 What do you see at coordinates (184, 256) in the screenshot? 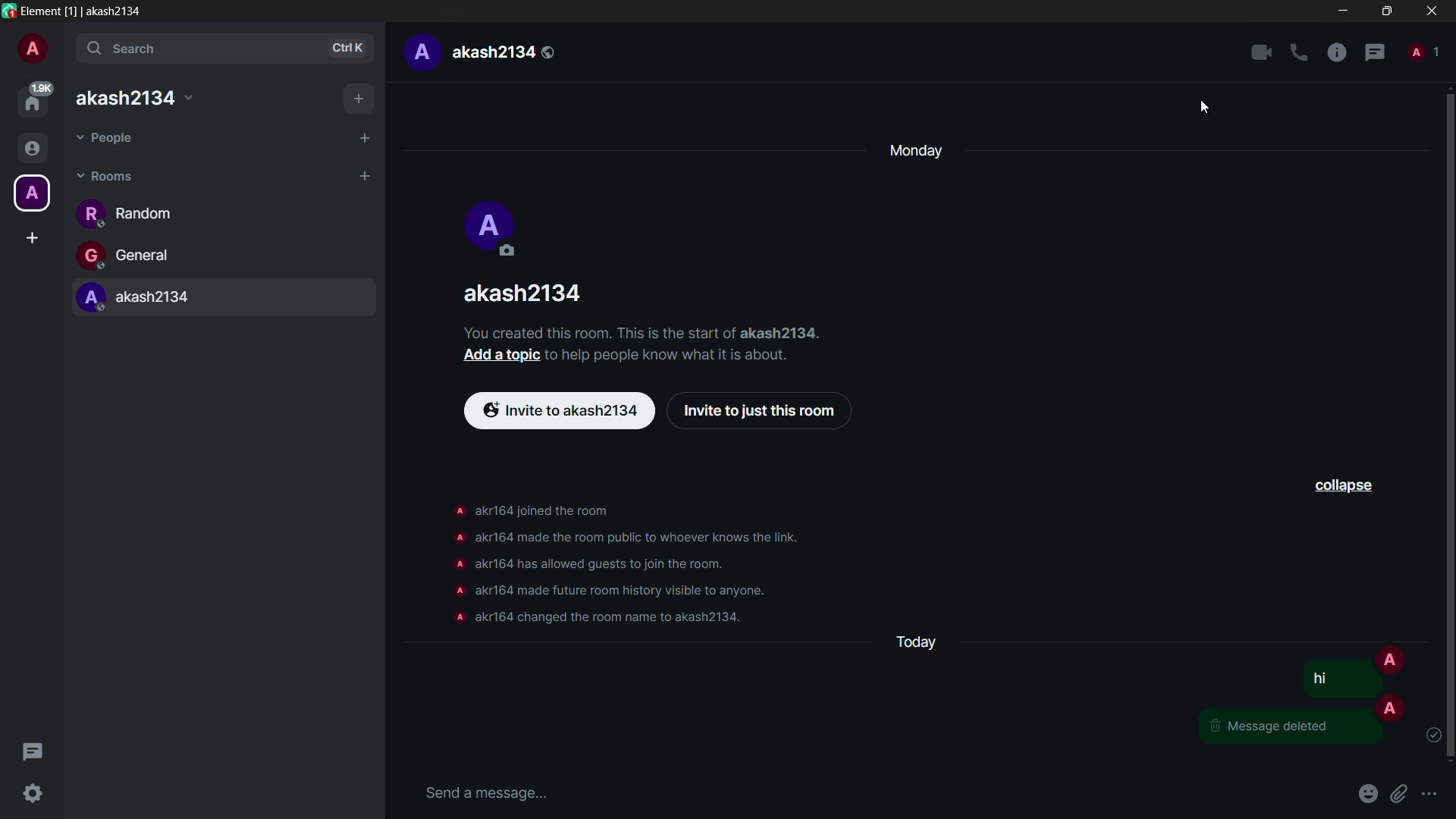
I see `General` at bounding box center [184, 256].